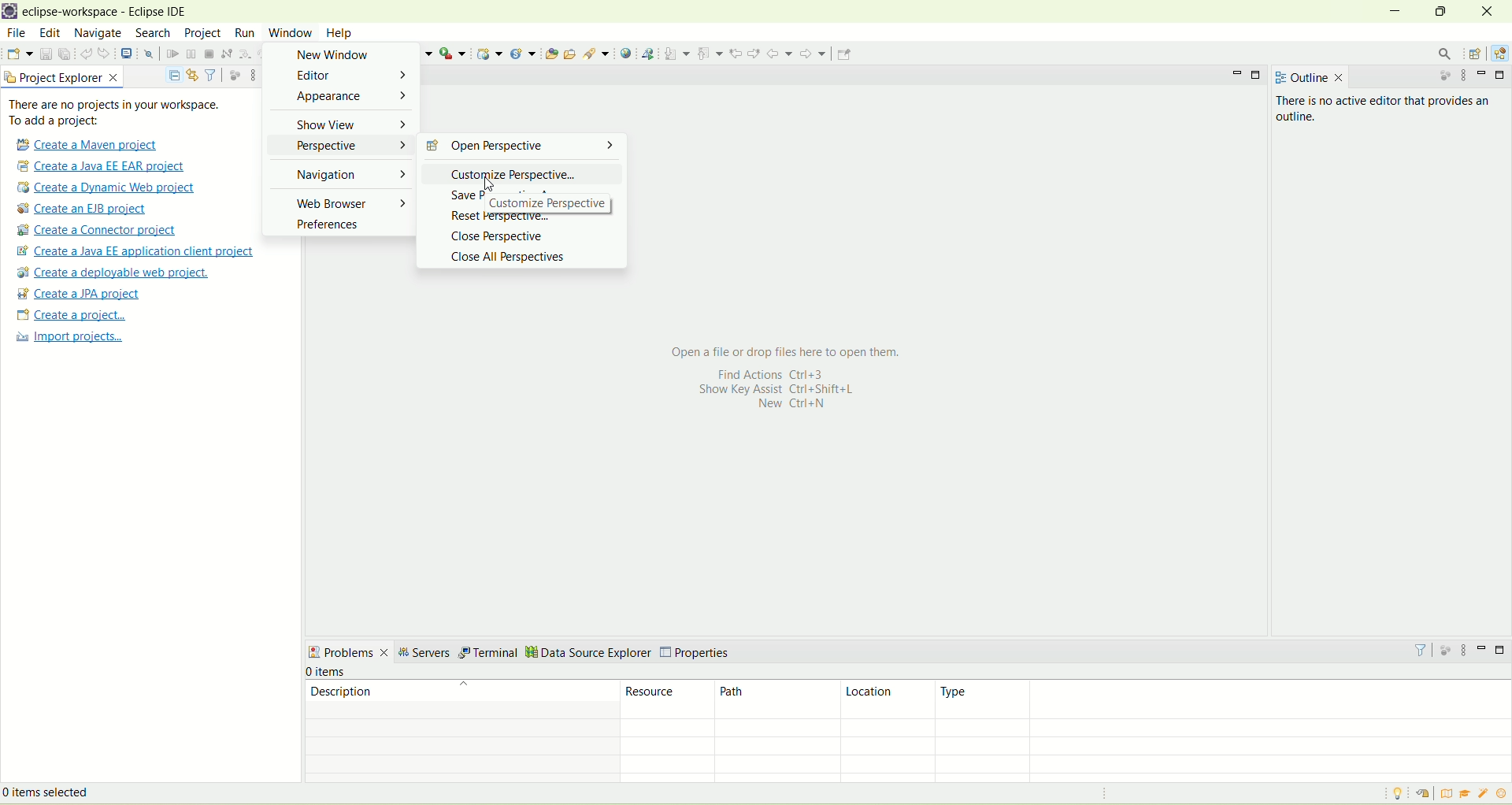 The width and height of the screenshot is (1512, 805). What do you see at coordinates (1499, 54) in the screenshot?
I see `Java EE` at bounding box center [1499, 54].